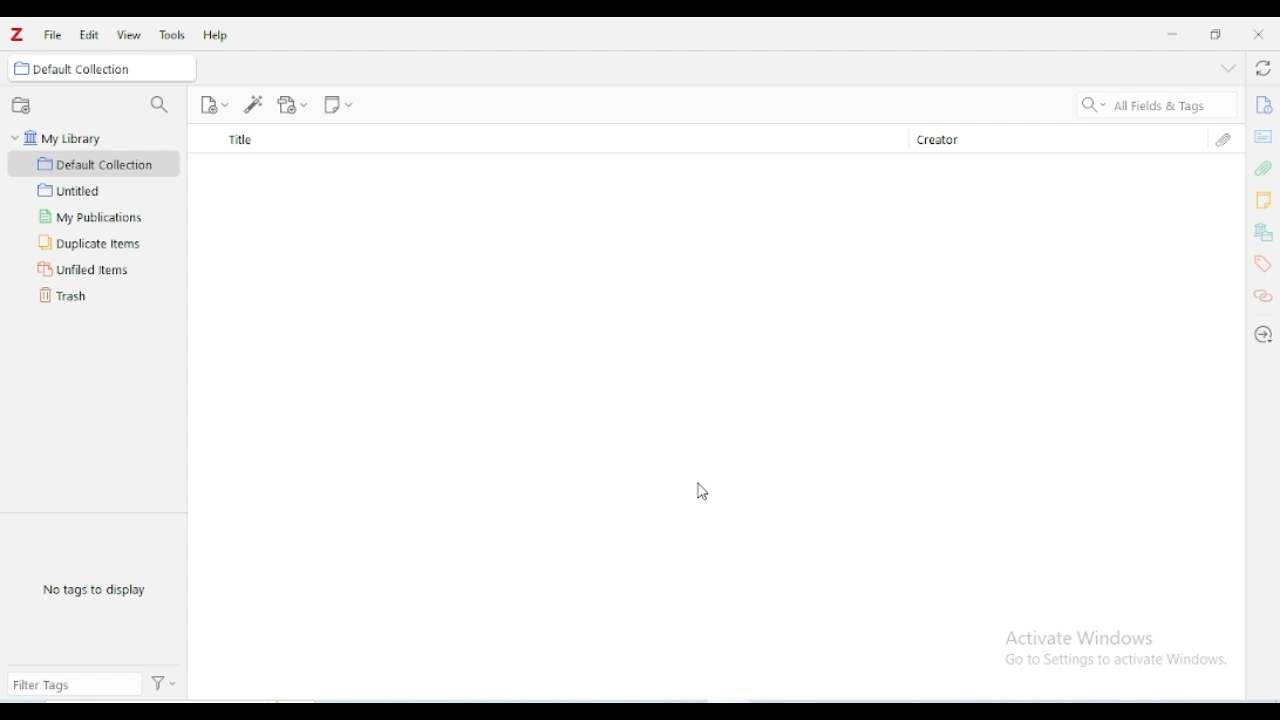 The image size is (1280, 720). Describe the element at coordinates (166, 684) in the screenshot. I see `actions` at that location.